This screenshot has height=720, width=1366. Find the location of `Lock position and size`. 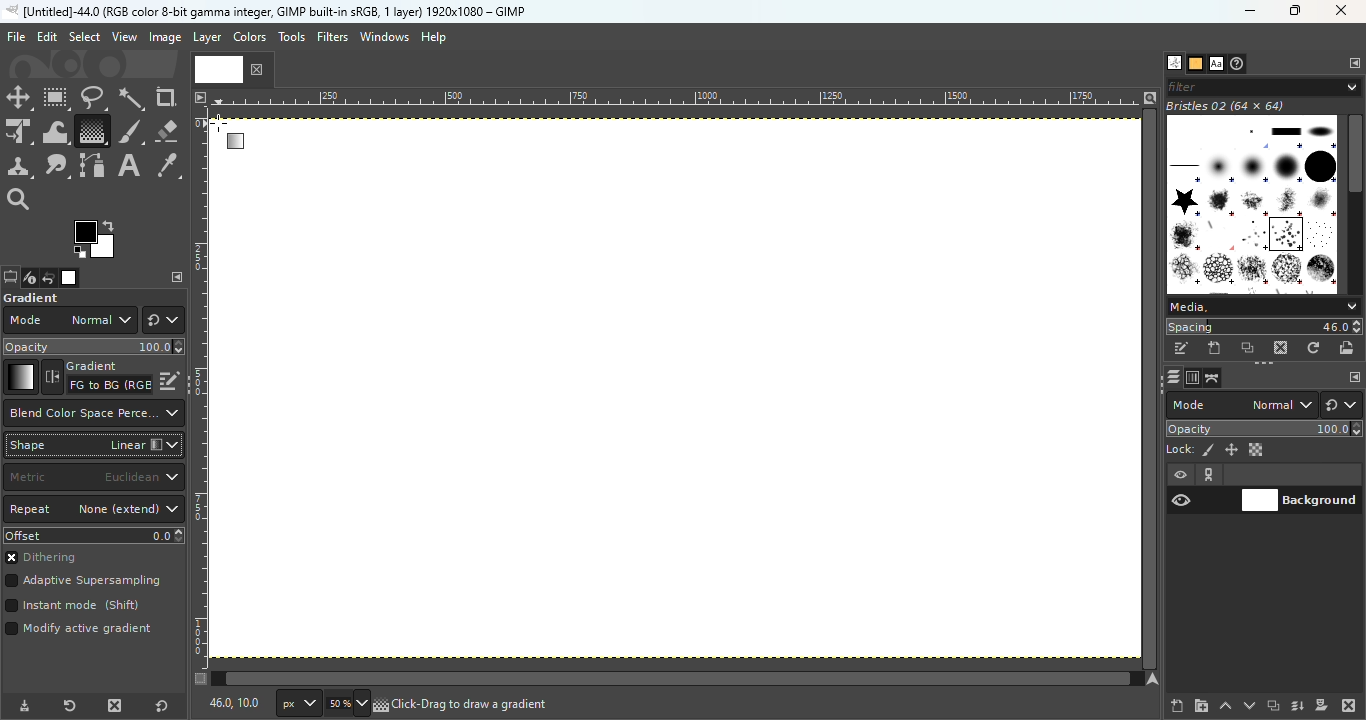

Lock position and size is located at coordinates (1230, 449).